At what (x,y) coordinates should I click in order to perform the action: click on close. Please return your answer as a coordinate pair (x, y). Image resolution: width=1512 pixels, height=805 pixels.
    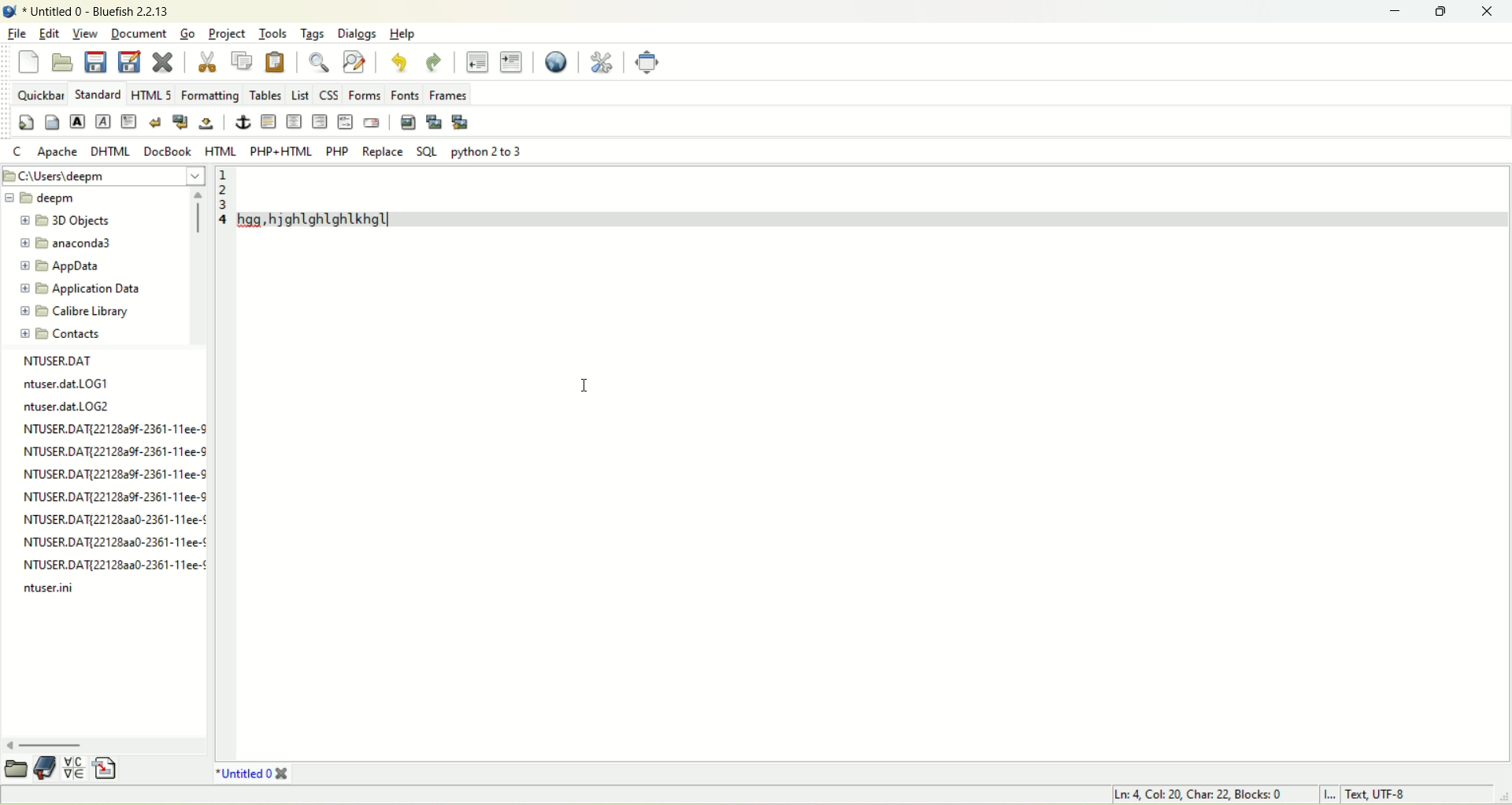
    Looking at the image, I should click on (1492, 11).